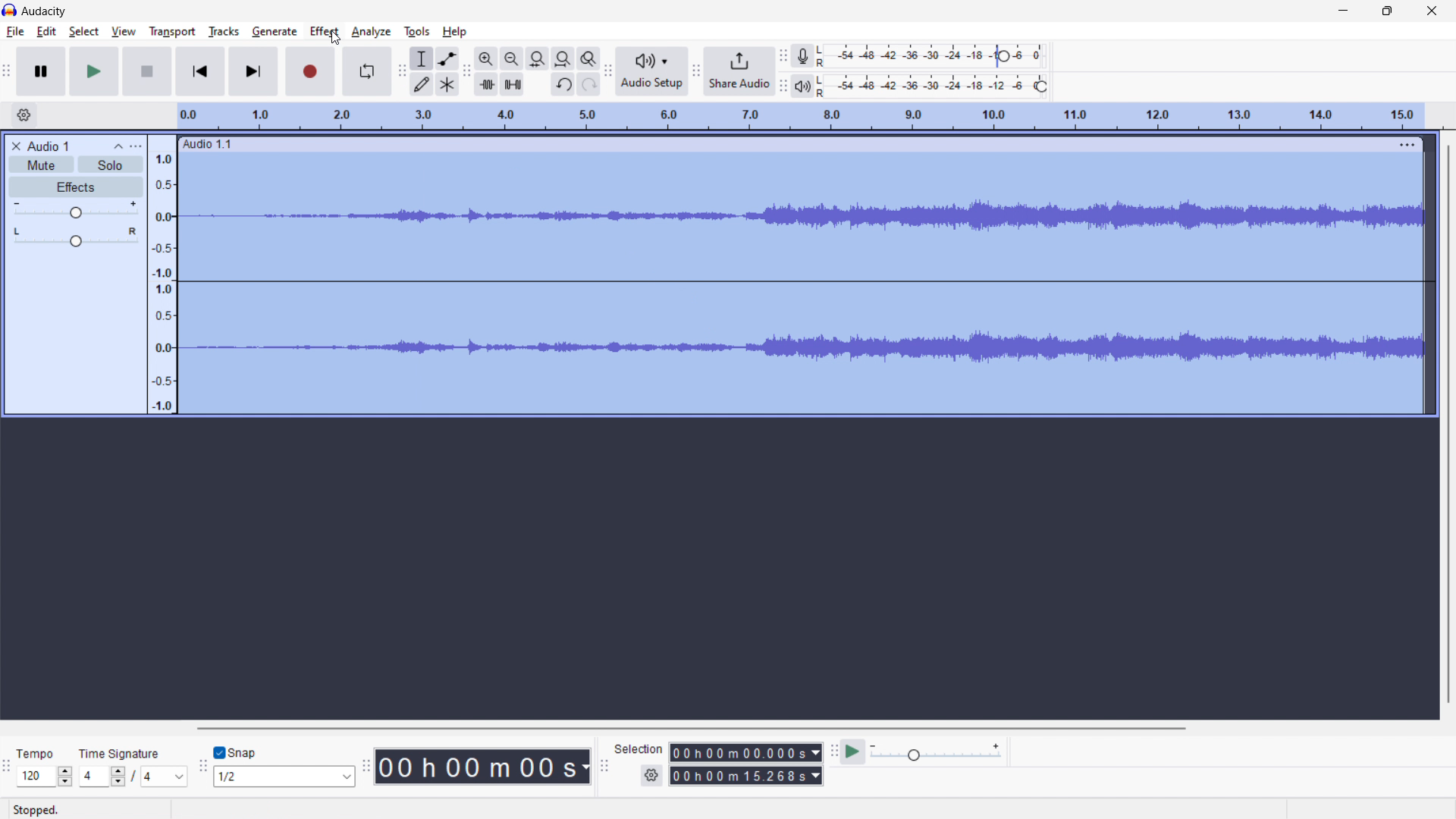 The height and width of the screenshot is (819, 1456). I want to click on set time signature, so click(133, 767).